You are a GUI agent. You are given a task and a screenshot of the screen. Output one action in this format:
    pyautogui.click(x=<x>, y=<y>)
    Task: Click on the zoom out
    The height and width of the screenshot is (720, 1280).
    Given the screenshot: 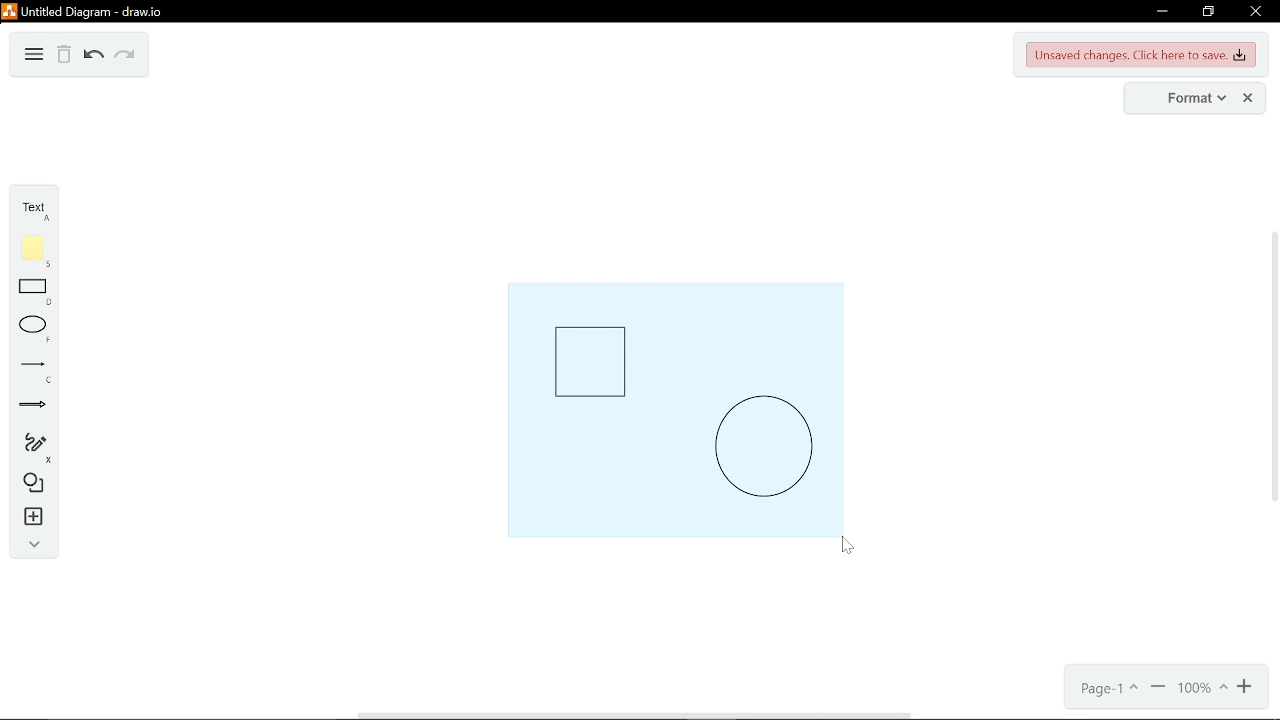 What is the action you would take?
    pyautogui.click(x=1157, y=688)
    